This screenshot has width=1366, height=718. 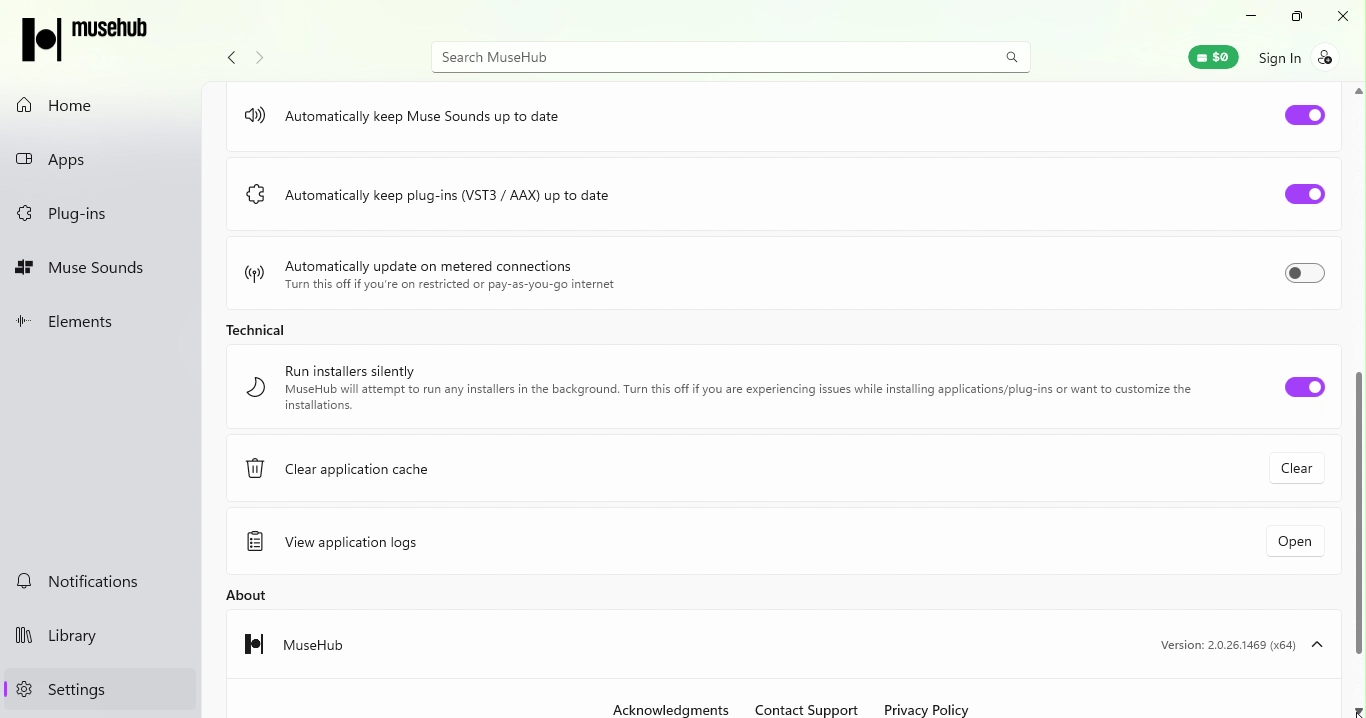 What do you see at coordinates (76, 581) in the screenshot?
I see `Notifications` at bounding box center [76, 581].